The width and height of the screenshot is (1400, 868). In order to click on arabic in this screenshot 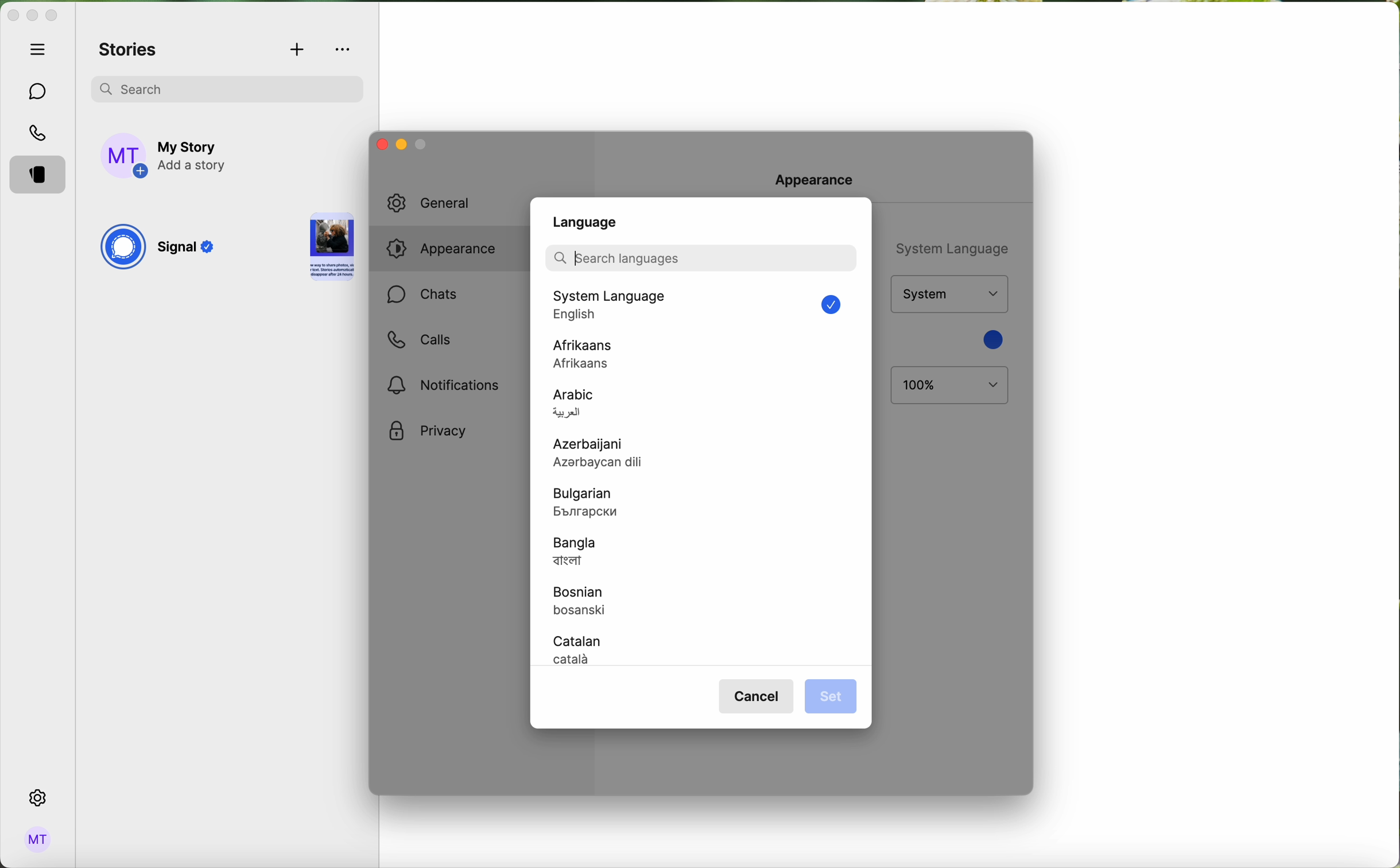, I will do `click(575, 405)`.